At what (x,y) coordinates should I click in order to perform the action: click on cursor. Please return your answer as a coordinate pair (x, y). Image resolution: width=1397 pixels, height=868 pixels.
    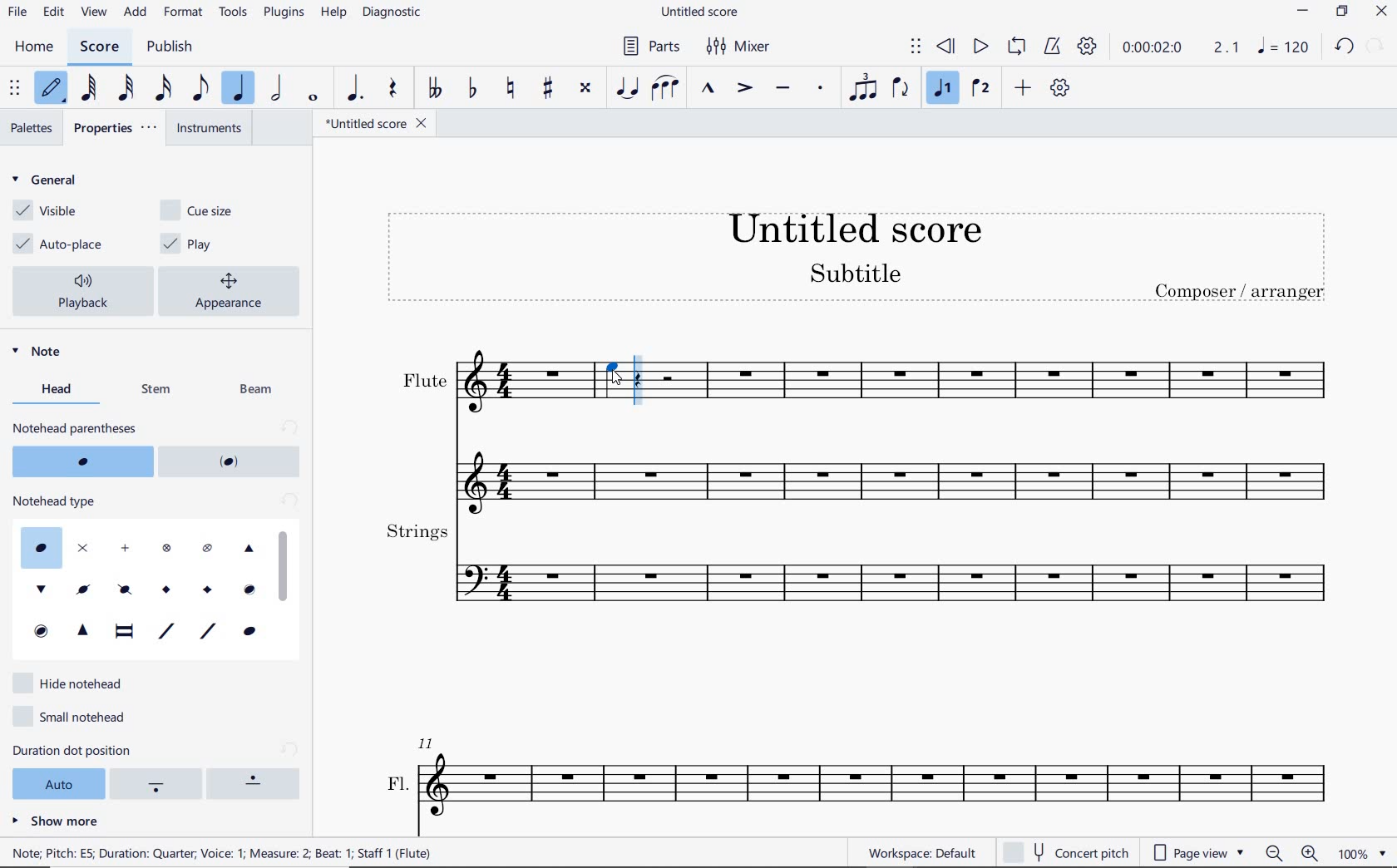
    Looking at the image, I should click on (624, 379).